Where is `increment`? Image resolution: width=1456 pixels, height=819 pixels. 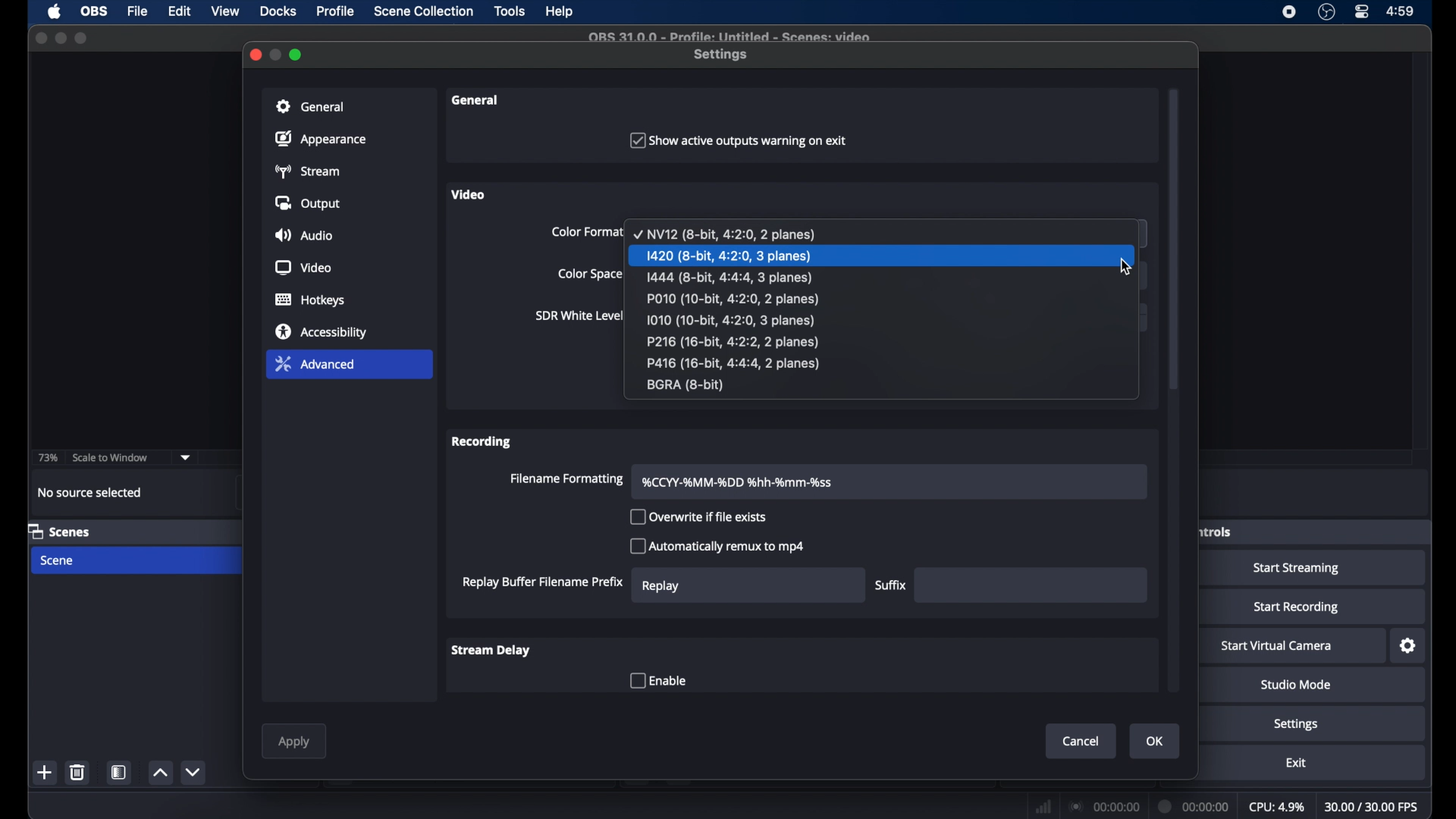 increment is located at coordinates (161, 773).